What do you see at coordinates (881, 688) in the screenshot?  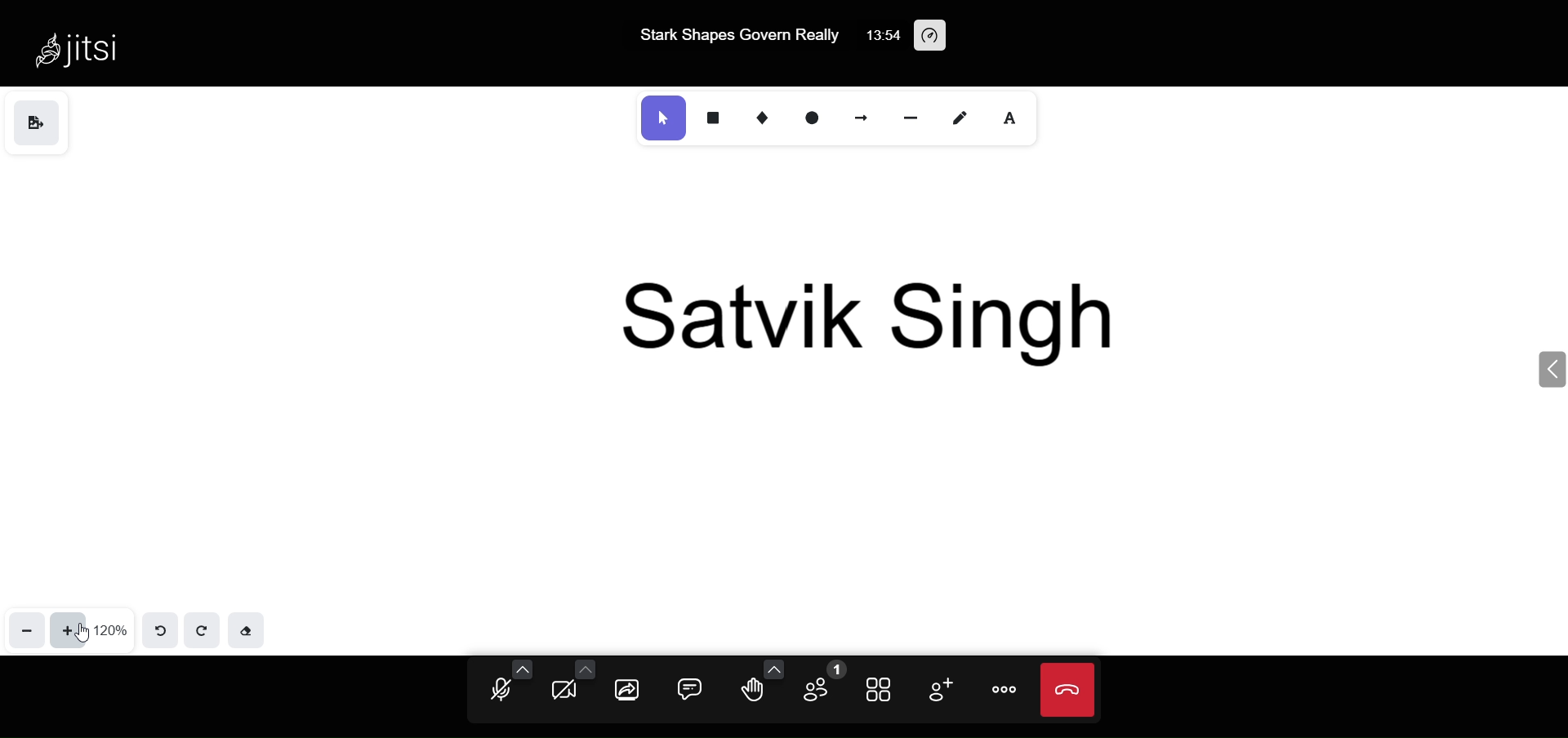 I see `tile view` at bounding box center [881, 688].